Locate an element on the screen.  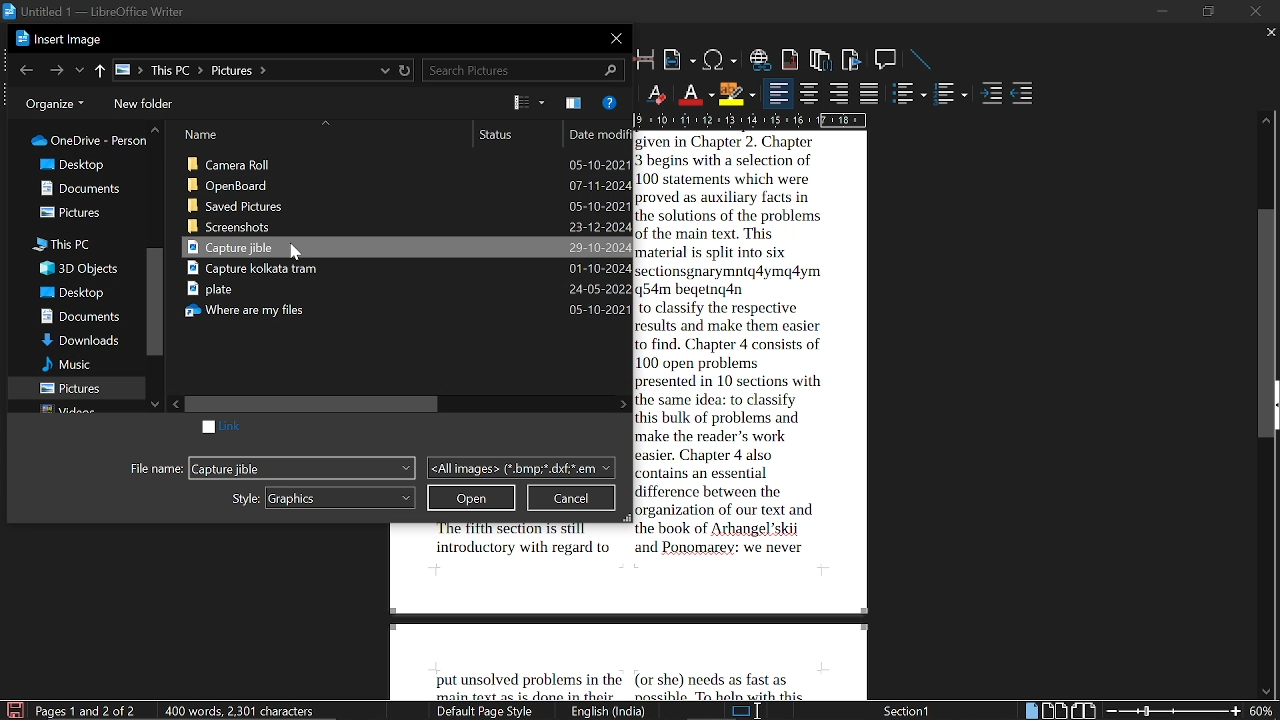
up to  is located at coordinates (99, 71).